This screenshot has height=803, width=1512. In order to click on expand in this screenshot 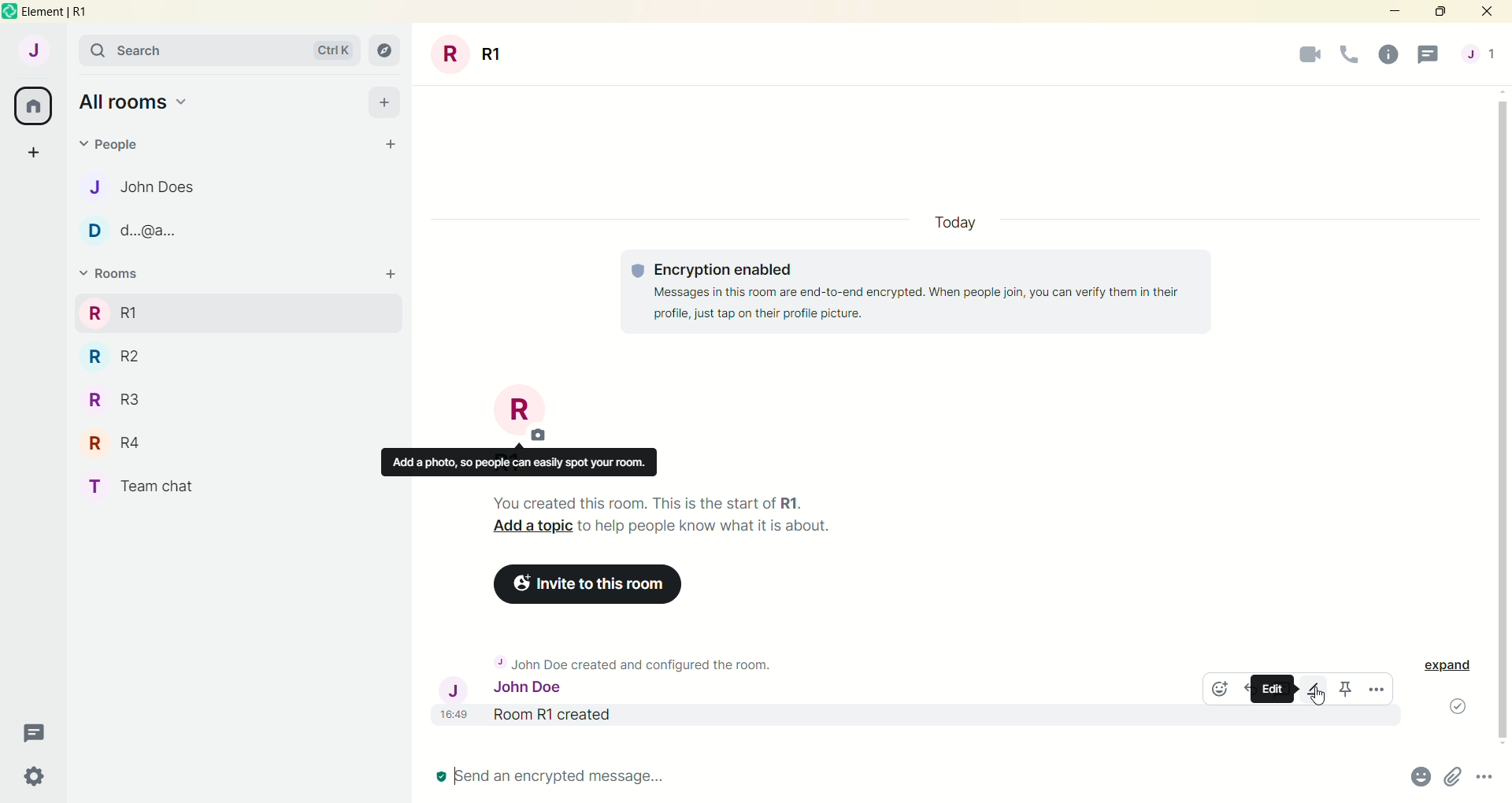, I will do `click(1454, 667)`.